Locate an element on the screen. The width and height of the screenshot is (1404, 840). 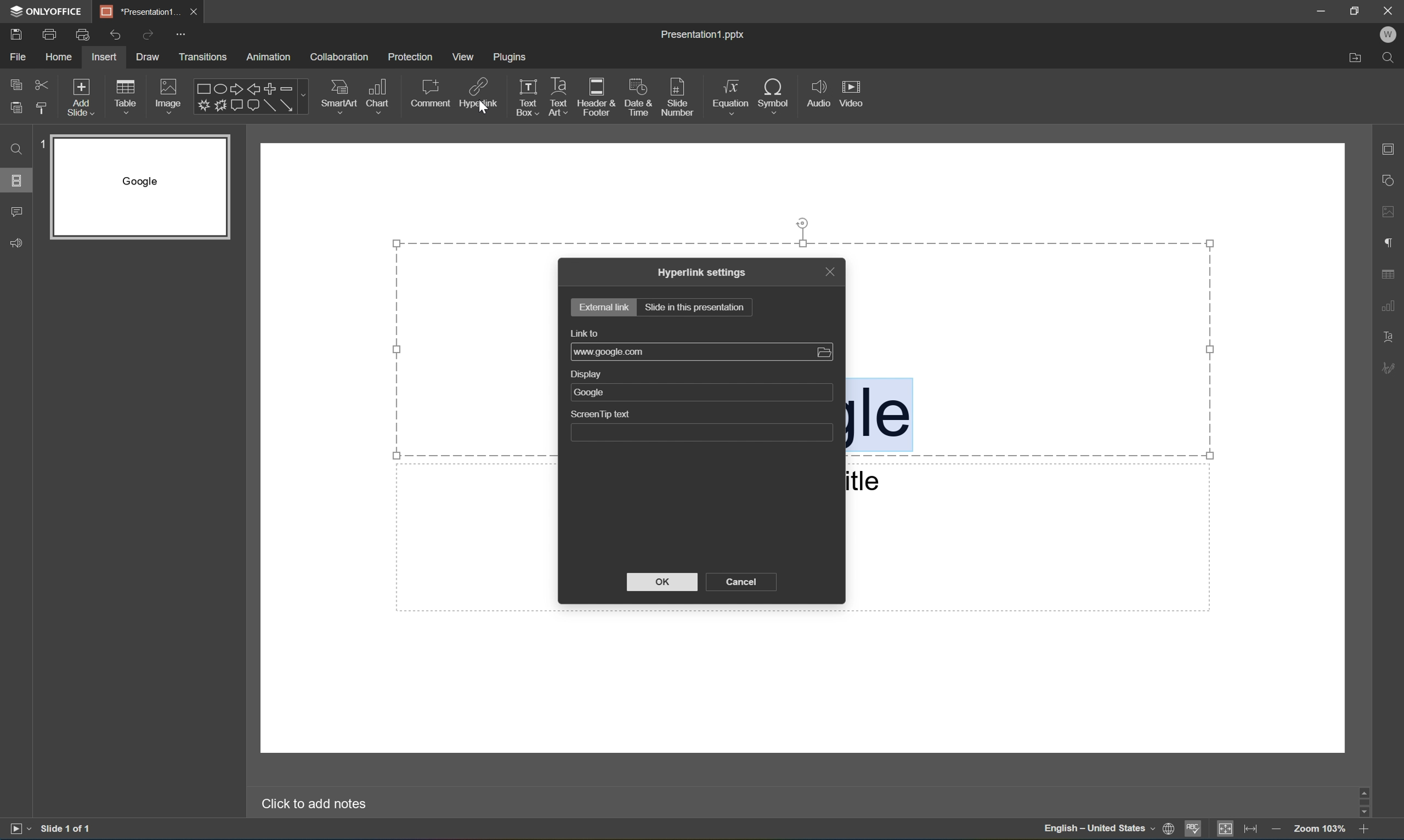
Feedback and support is located at coordinates (16, 242).